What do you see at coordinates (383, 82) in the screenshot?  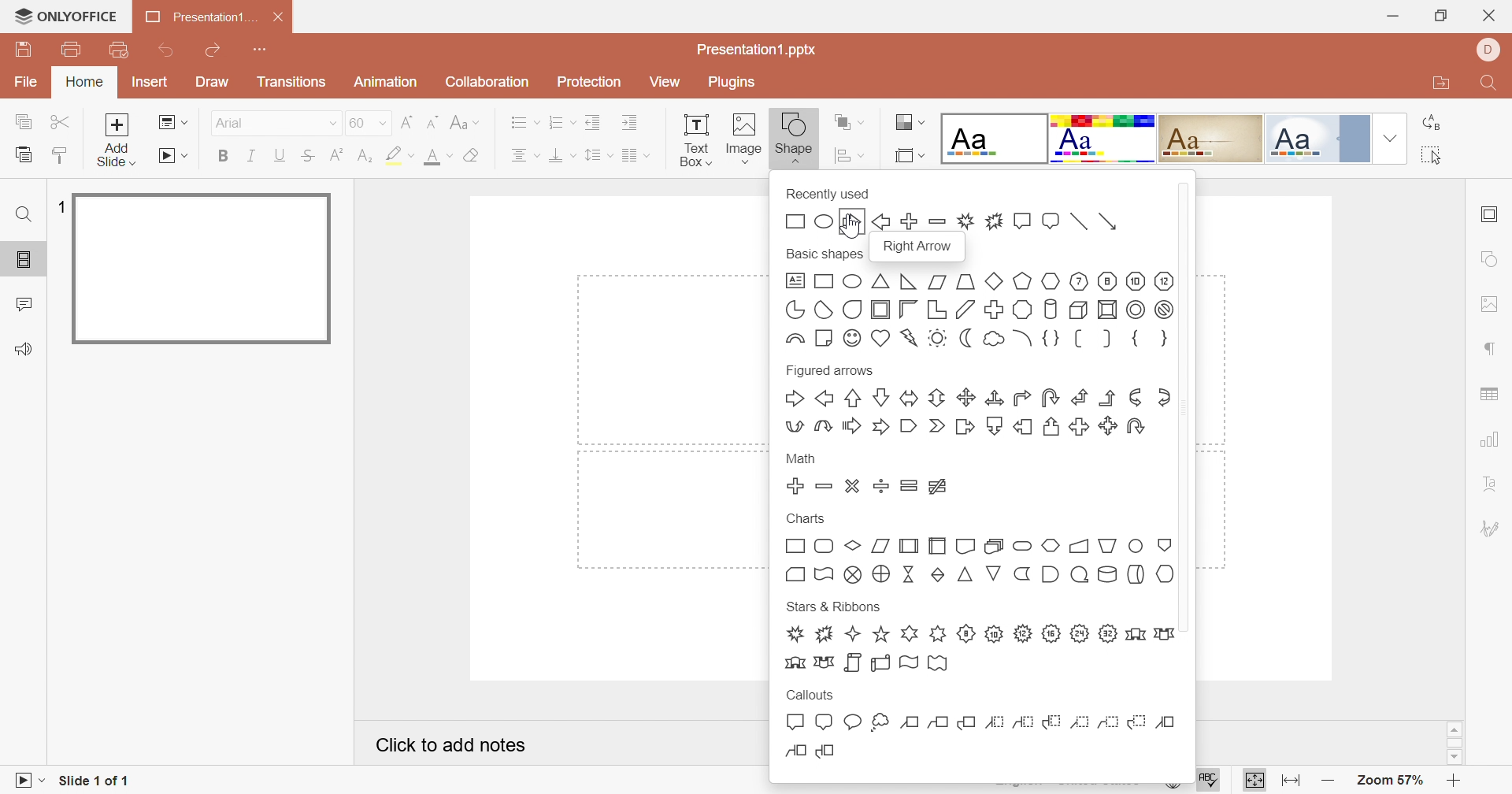 I see `Animation` at bounding box center [383, 82].